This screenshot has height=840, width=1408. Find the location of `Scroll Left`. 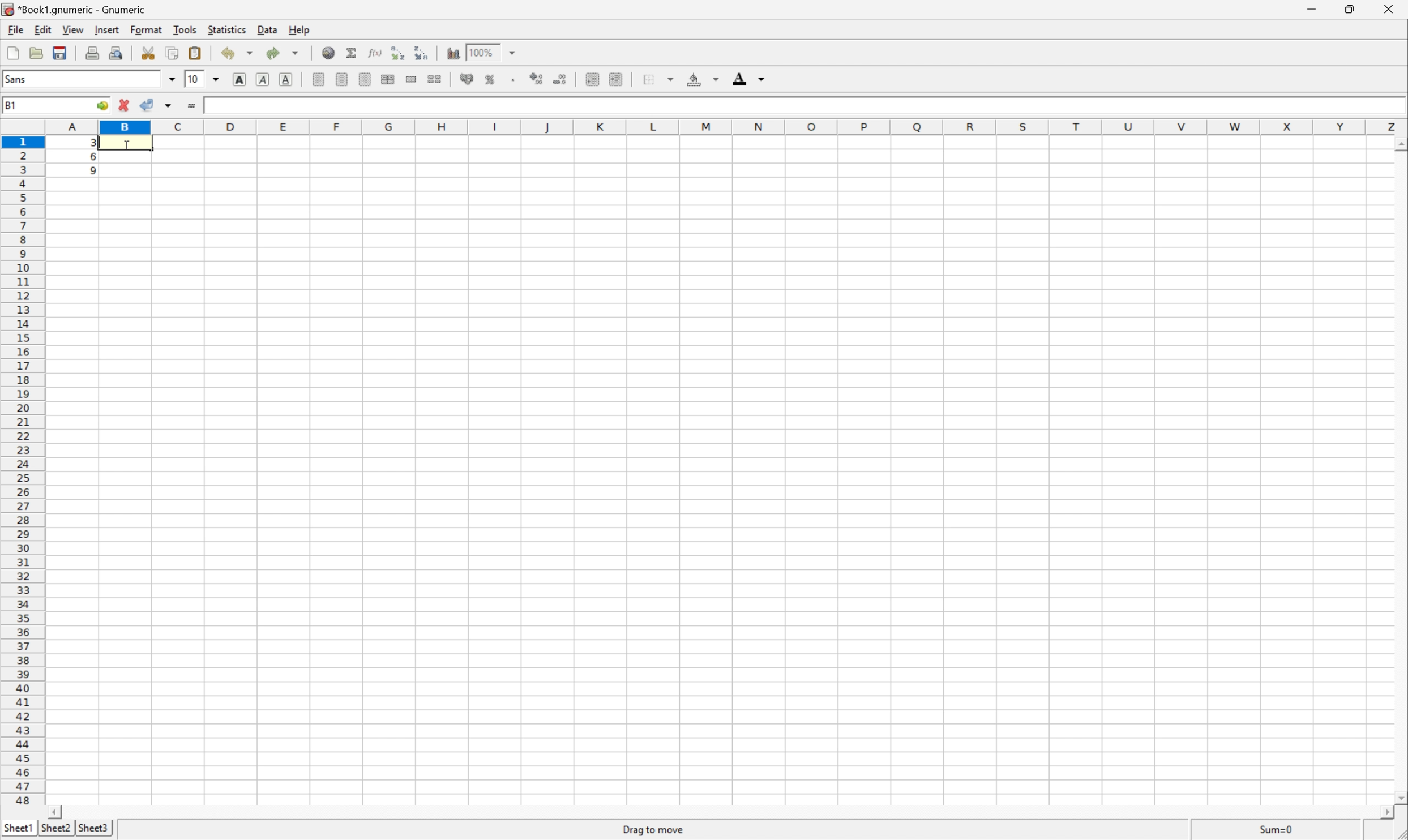

Scroll Left is located at coordinates (55, 811).